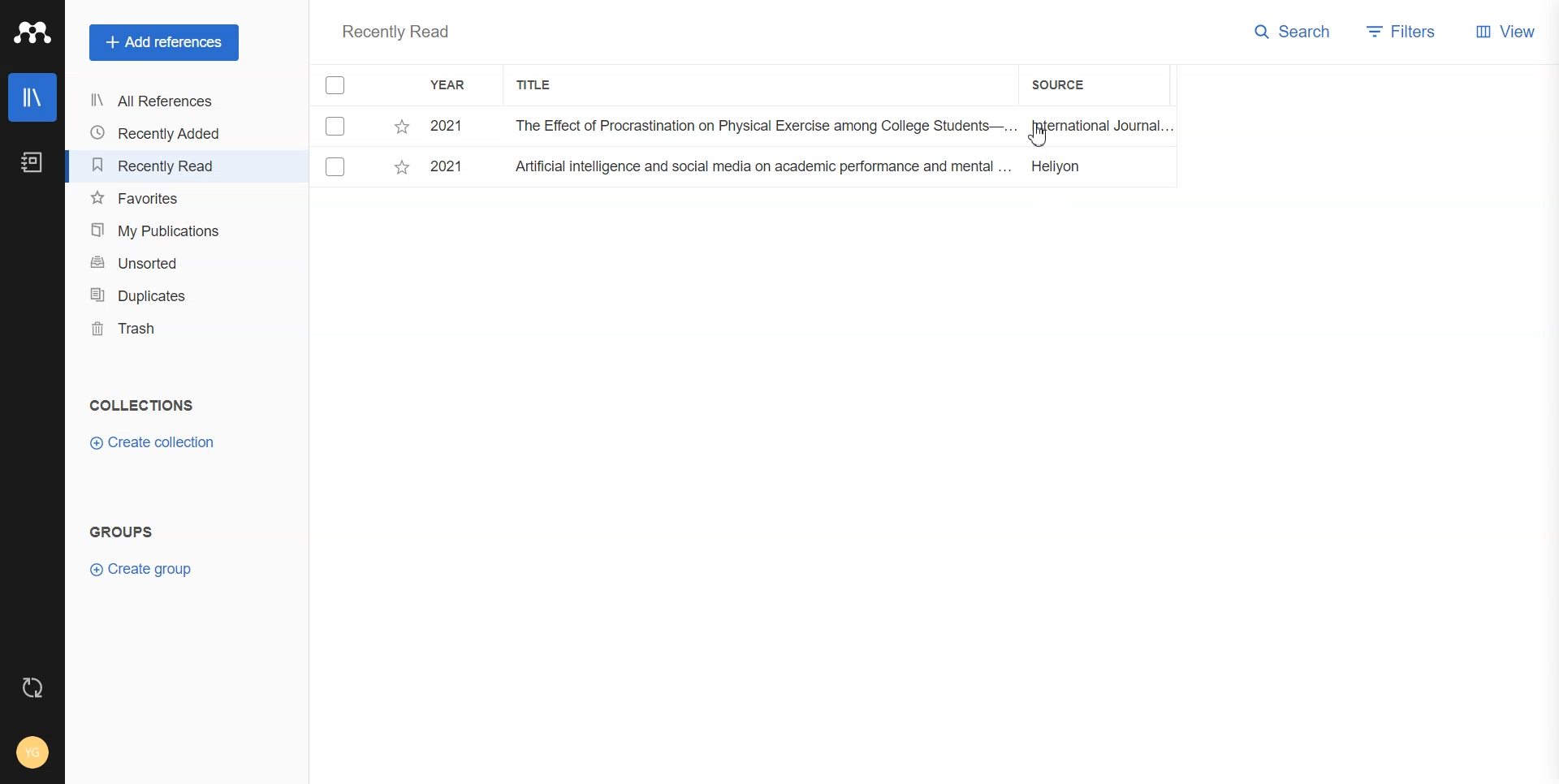 The image size is (1559, 784). I want to click on Starred, so click(401, 127).